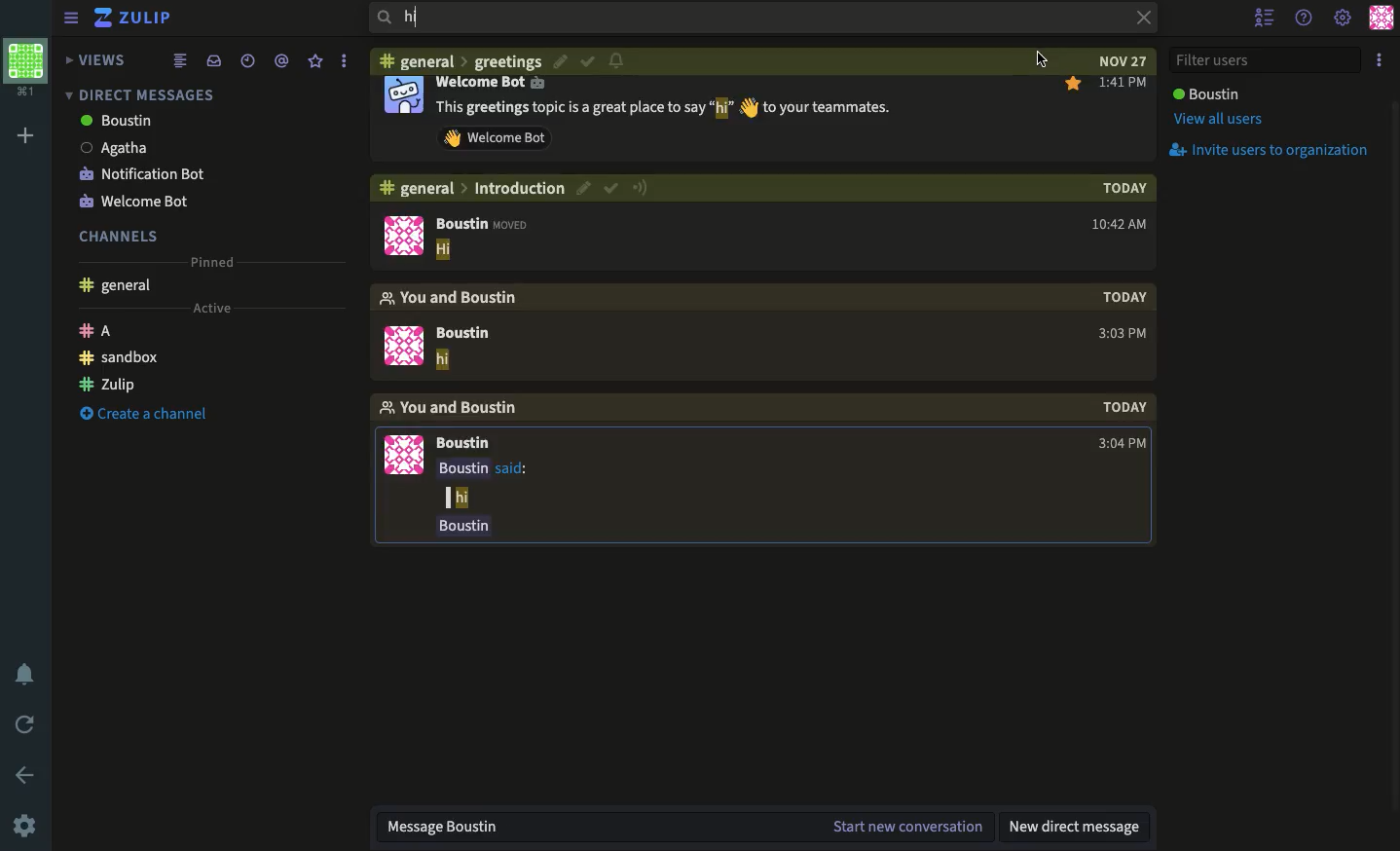  Describe the element at coordinates (120, 357) in the screenshot. I see `Sandbox` at that location.